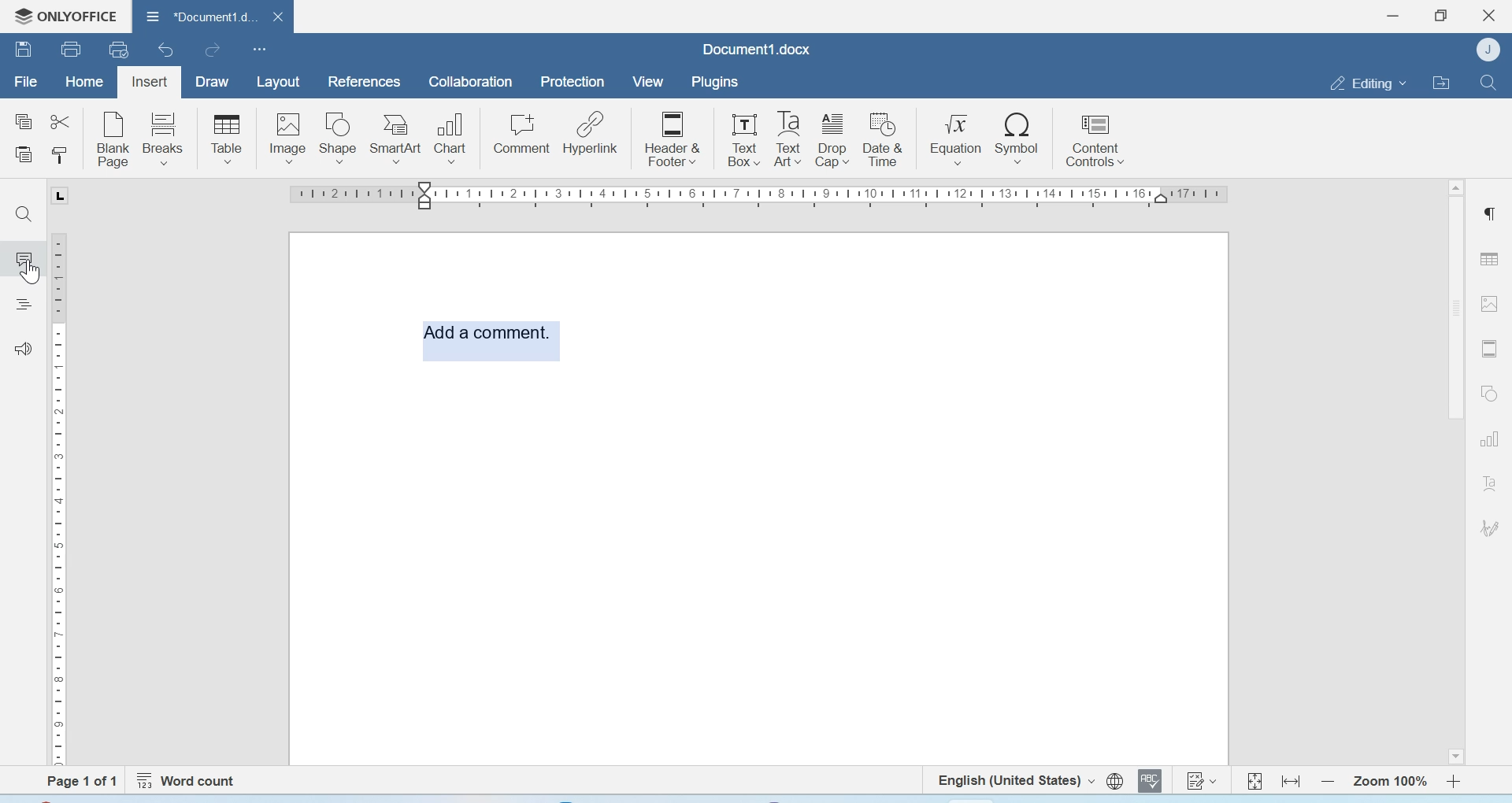  What do you see at coordinates (149, 83) in the screenshot?
I see `Insert` at bounding box center [149, 83].